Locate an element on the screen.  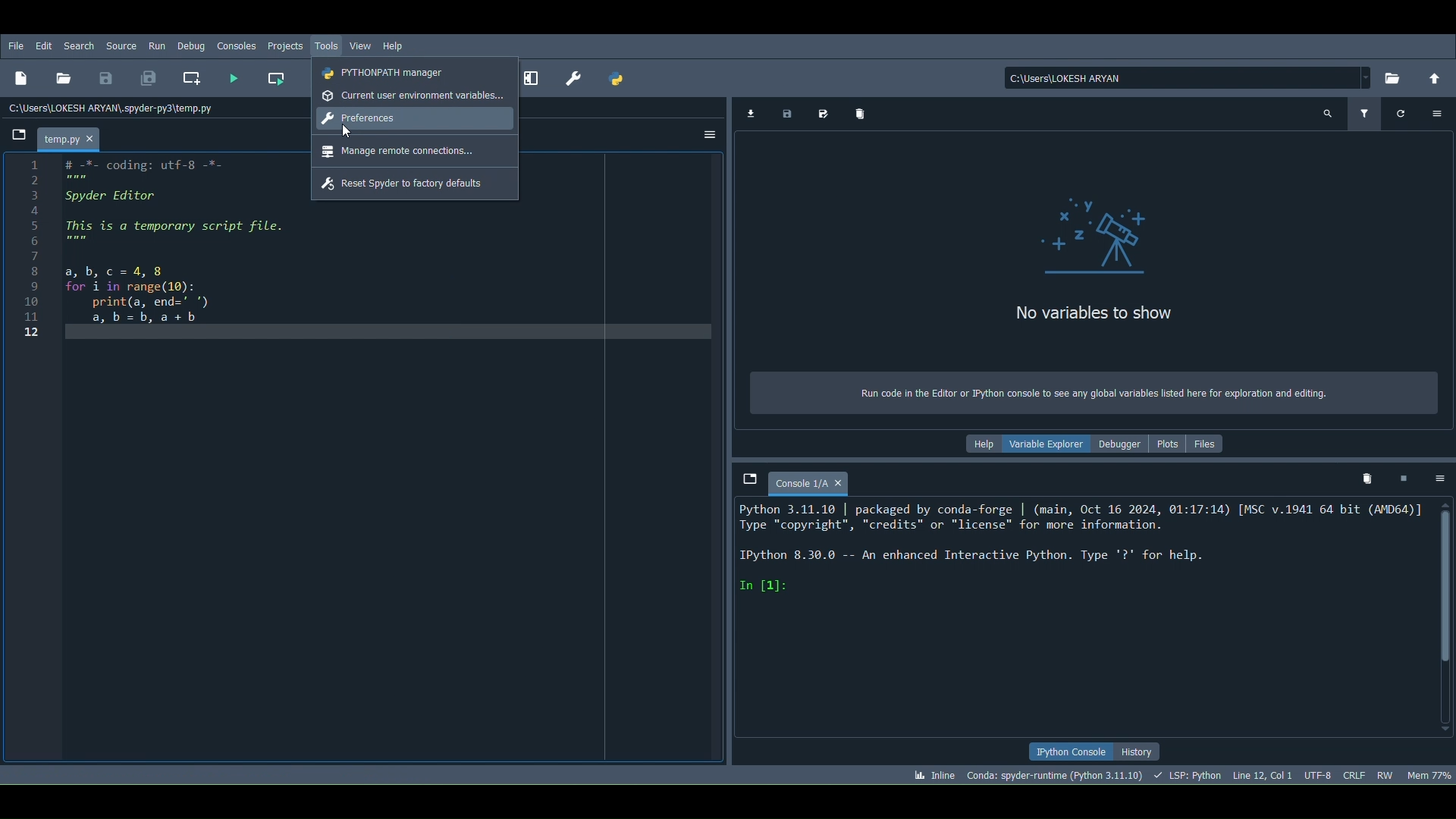
File name is located at coordinates (72, 137).